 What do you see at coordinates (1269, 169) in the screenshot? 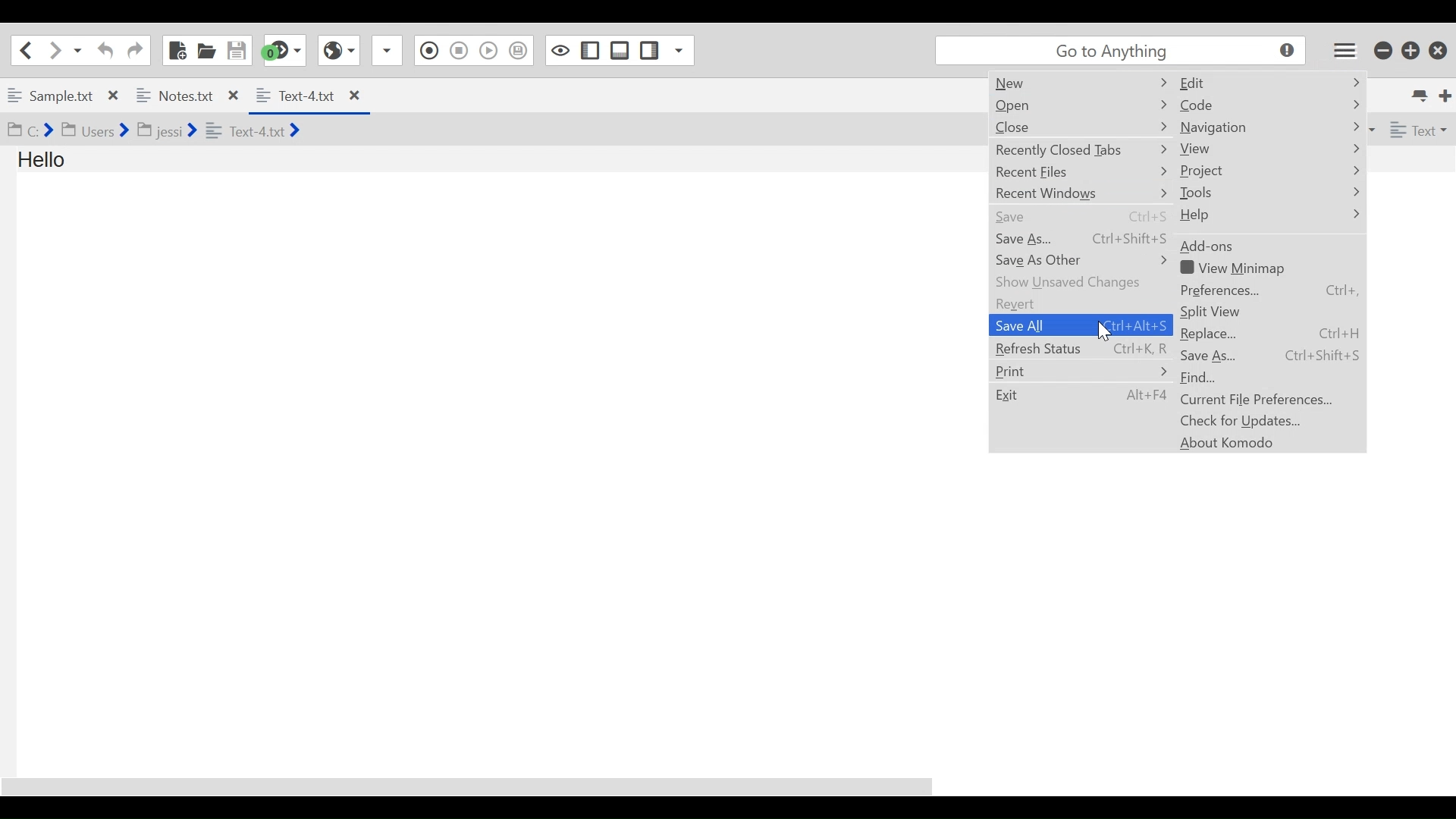
I see `Project` at bounding box center [1269, 169].